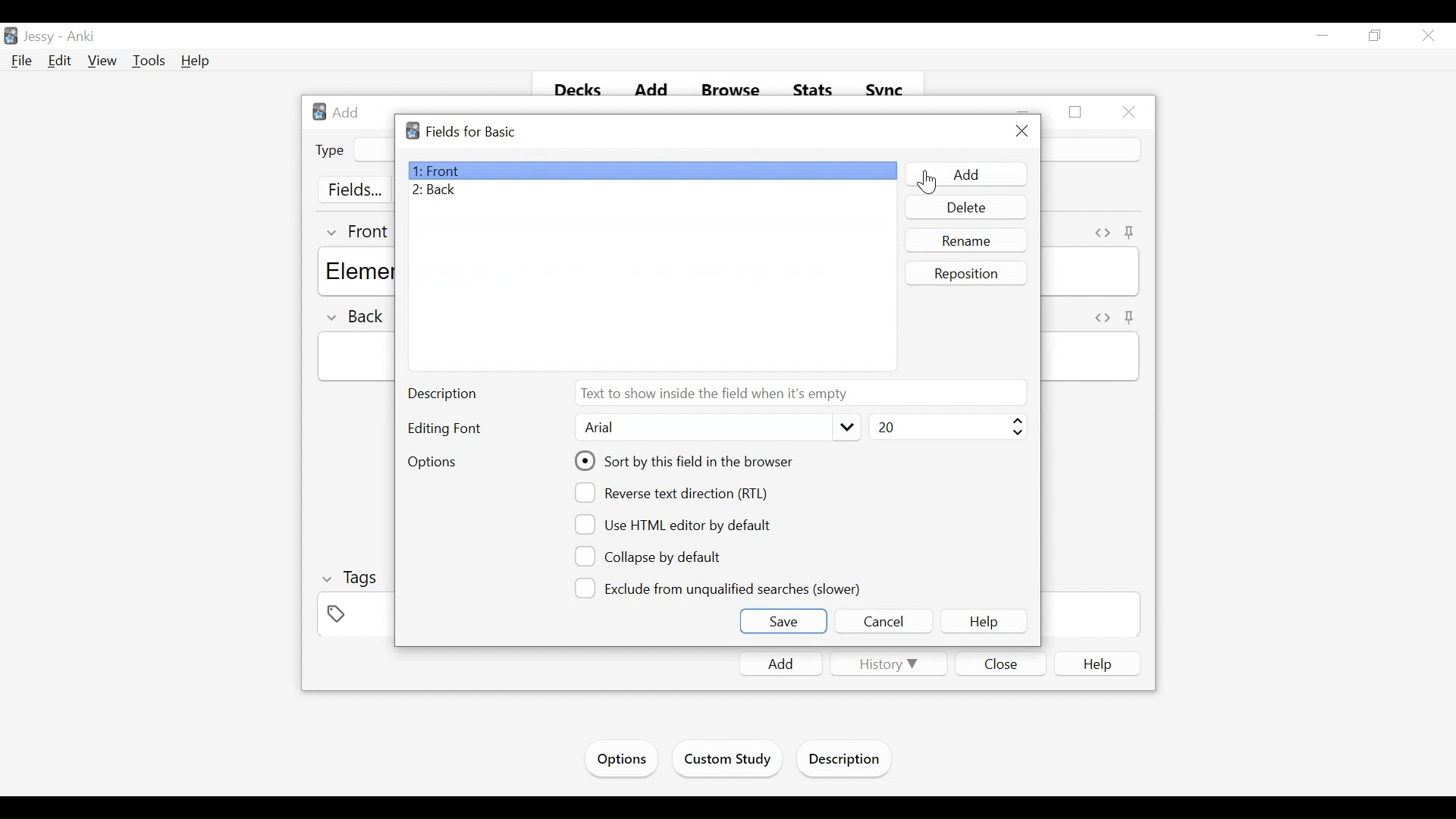 The image size is (1456, 819). I want to click on Decks, so click(579, 91).